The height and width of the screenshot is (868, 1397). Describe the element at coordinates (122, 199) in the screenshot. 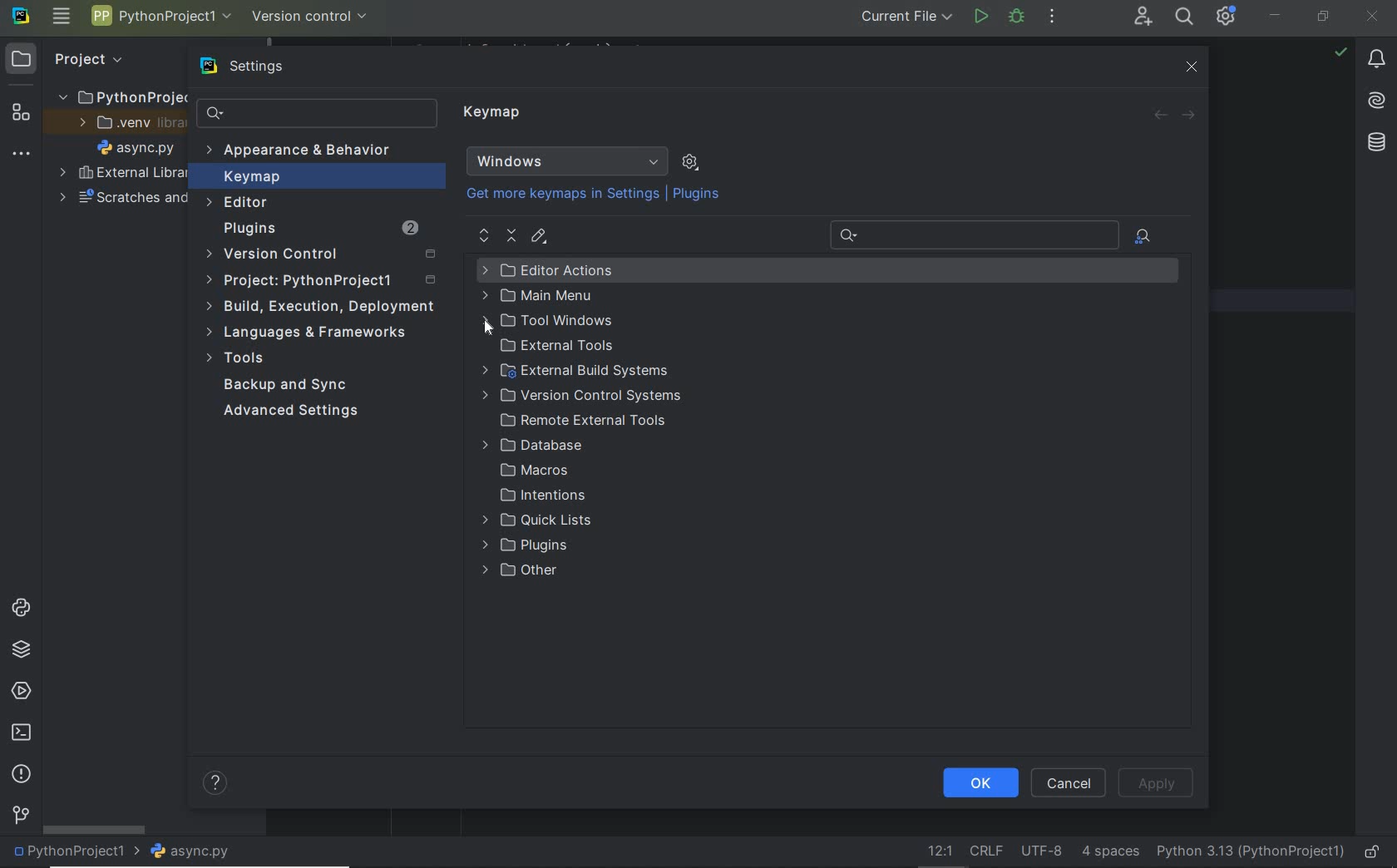

I see `scratches and consoles` at that location.